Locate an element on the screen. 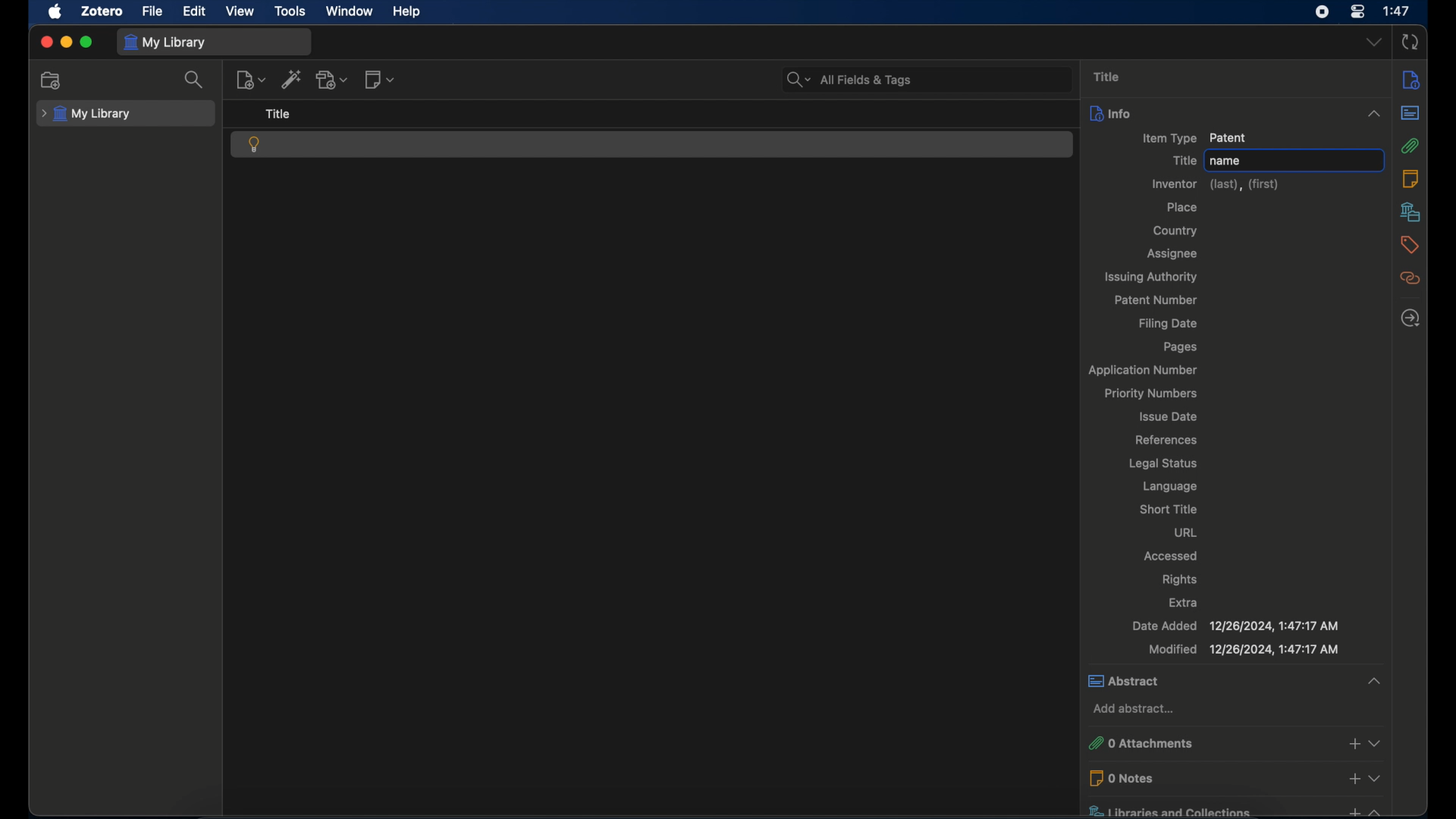  libraries and collections is located at coordinates (1189, 807).